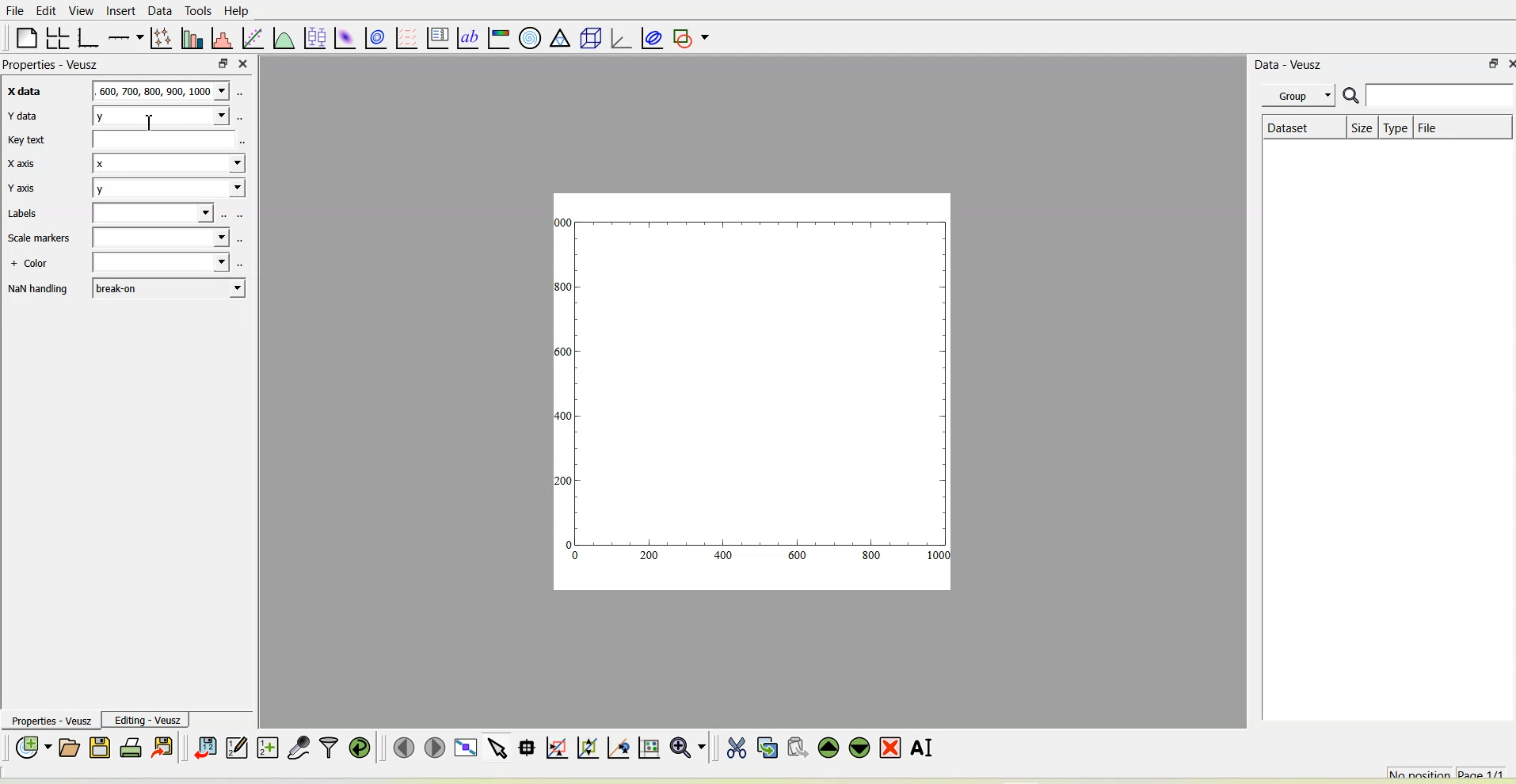 The height and width of the screenshot is (784, 1516). What do you see at coordinates (435, 747) in the screenshot?
I see `Move to the next page` at bounding box center [435, 747].